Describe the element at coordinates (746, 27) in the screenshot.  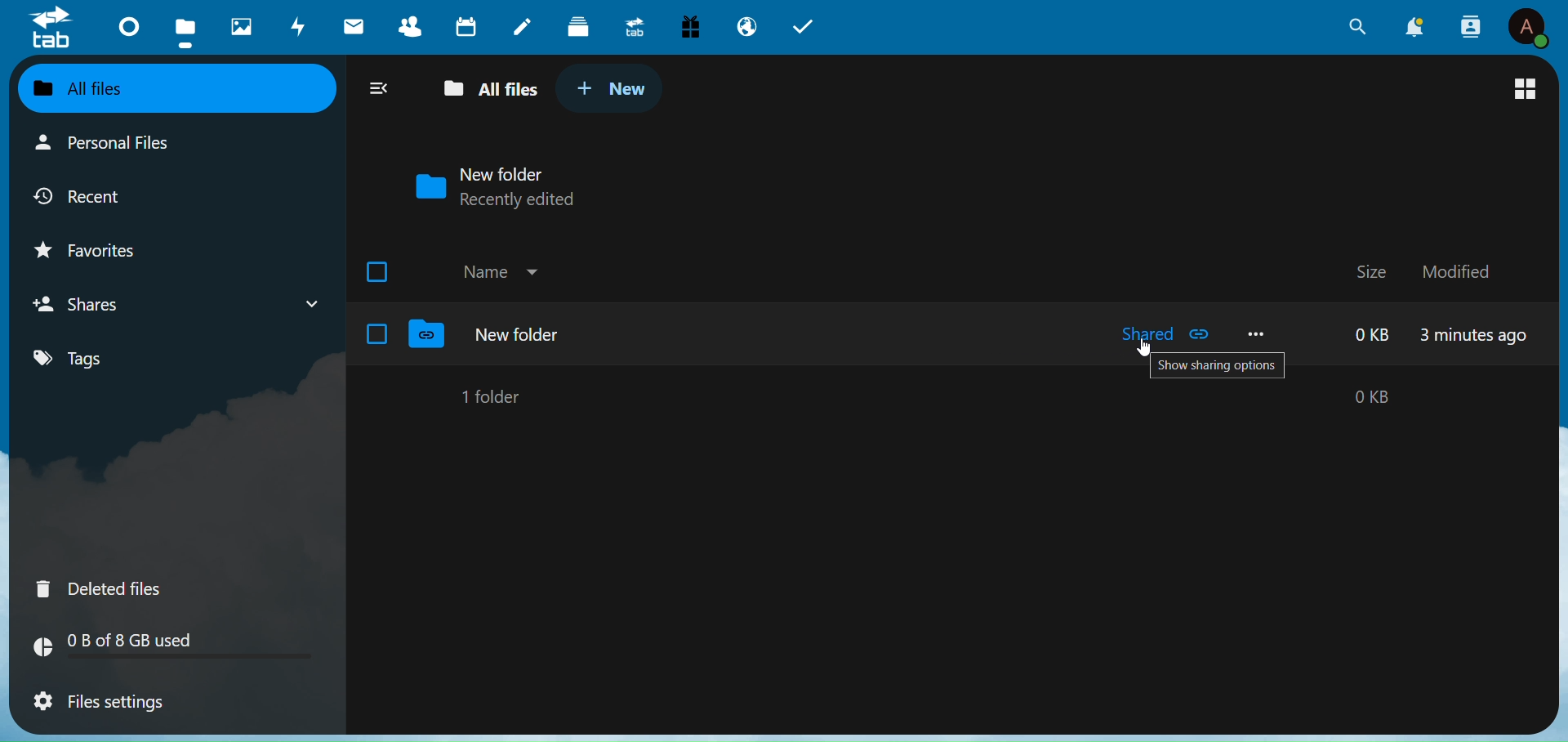
I see `Email Hosting` at that location.